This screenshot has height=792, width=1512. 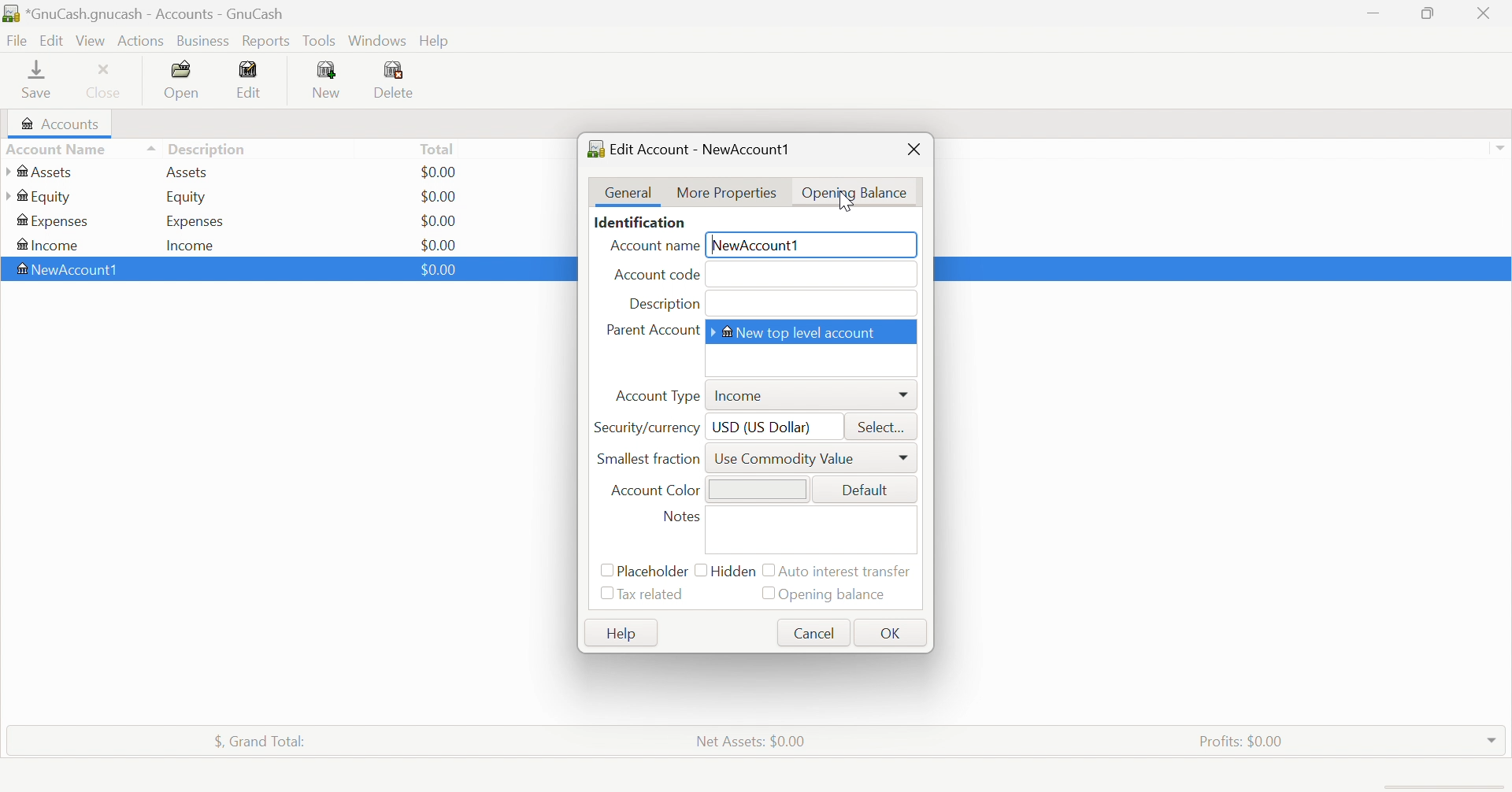 What do you see at coordinates (865, 490) in the screenshot?
I see `Default` at bounding box center [865, 490].